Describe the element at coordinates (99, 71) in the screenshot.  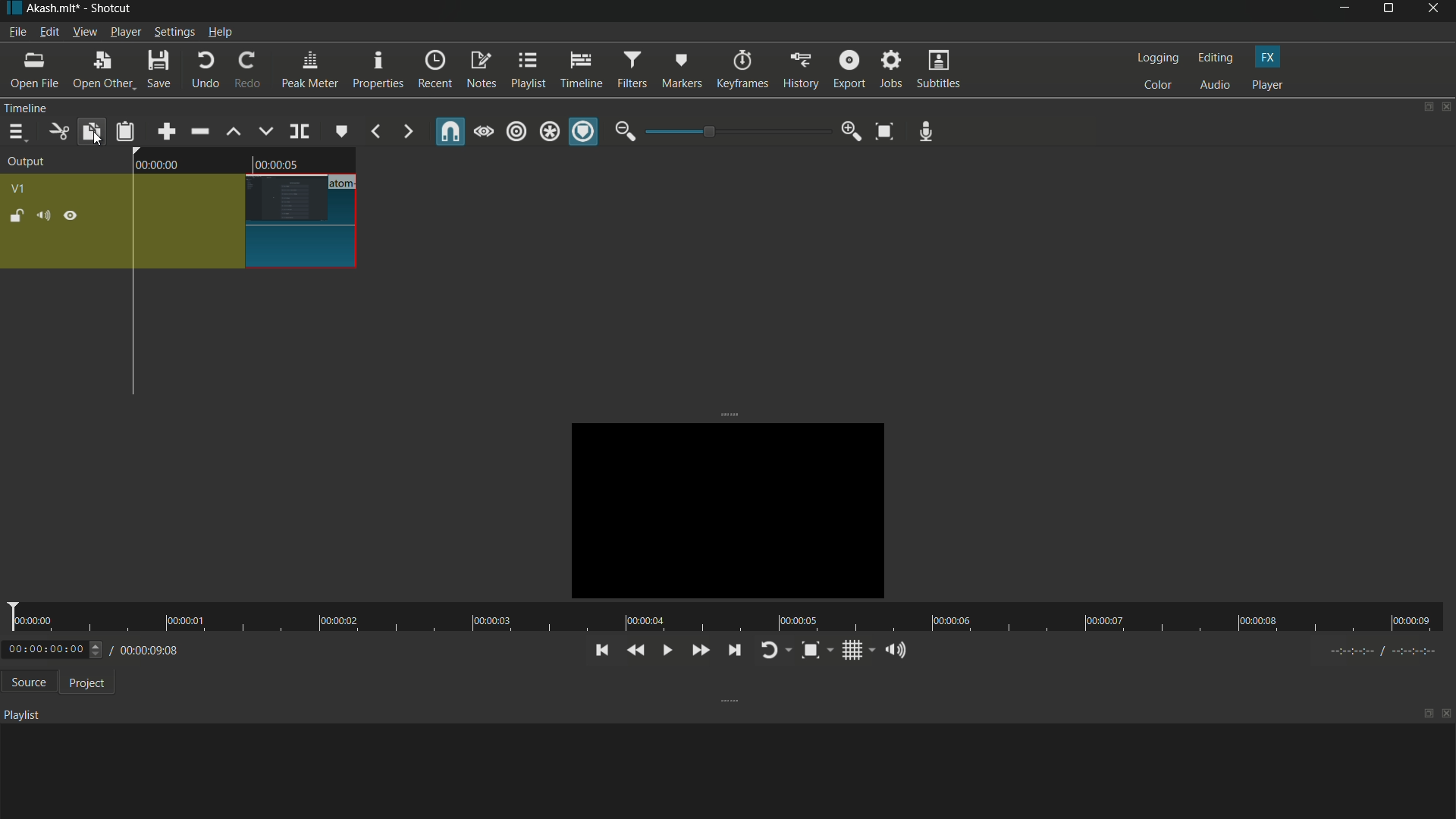
I see `open other` at that location.